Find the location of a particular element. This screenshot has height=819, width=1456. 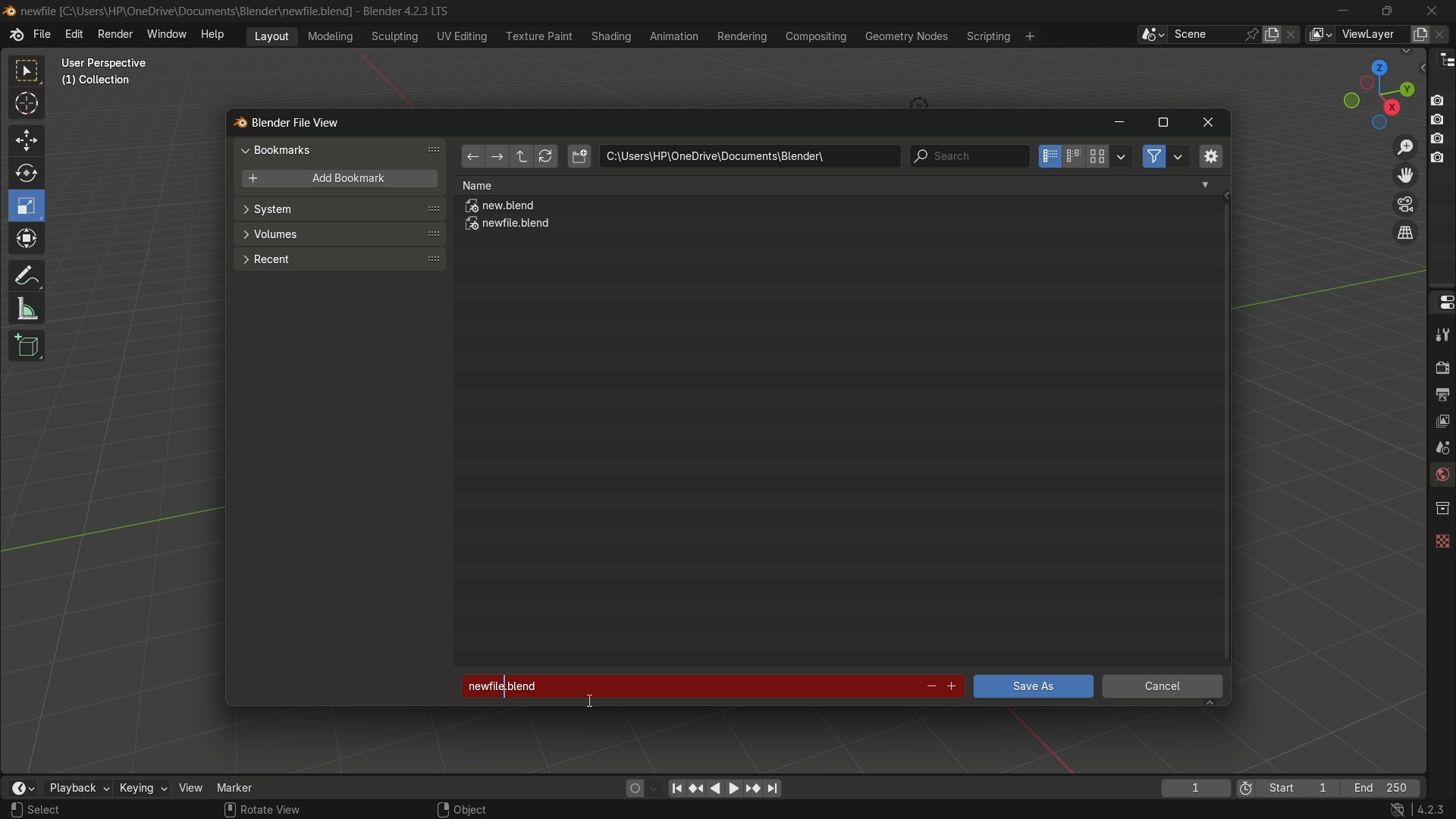

maximize or restore is located at coordinates (1163, 123).